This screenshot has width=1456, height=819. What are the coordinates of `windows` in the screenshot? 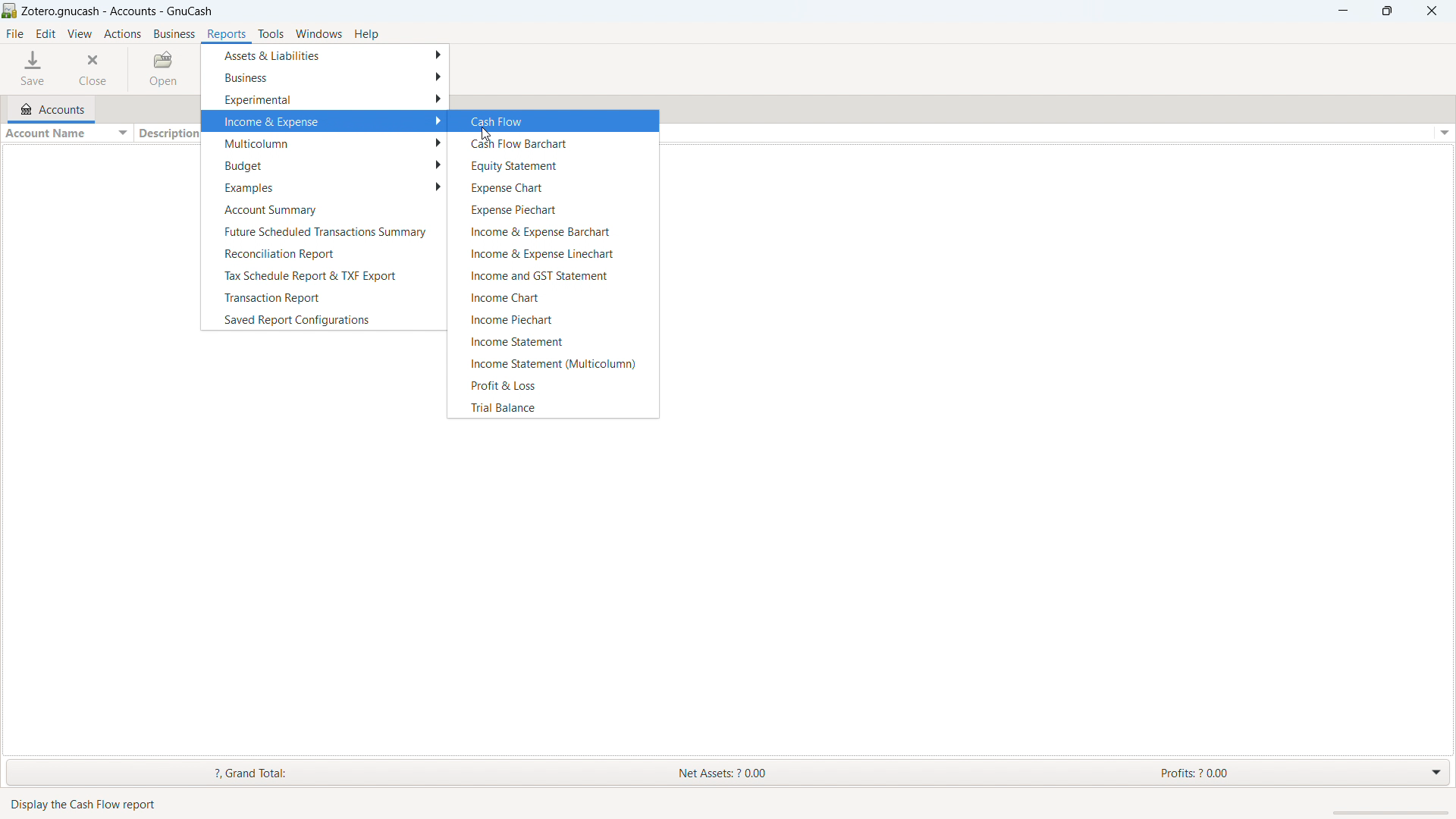 It's located at (319, 33).